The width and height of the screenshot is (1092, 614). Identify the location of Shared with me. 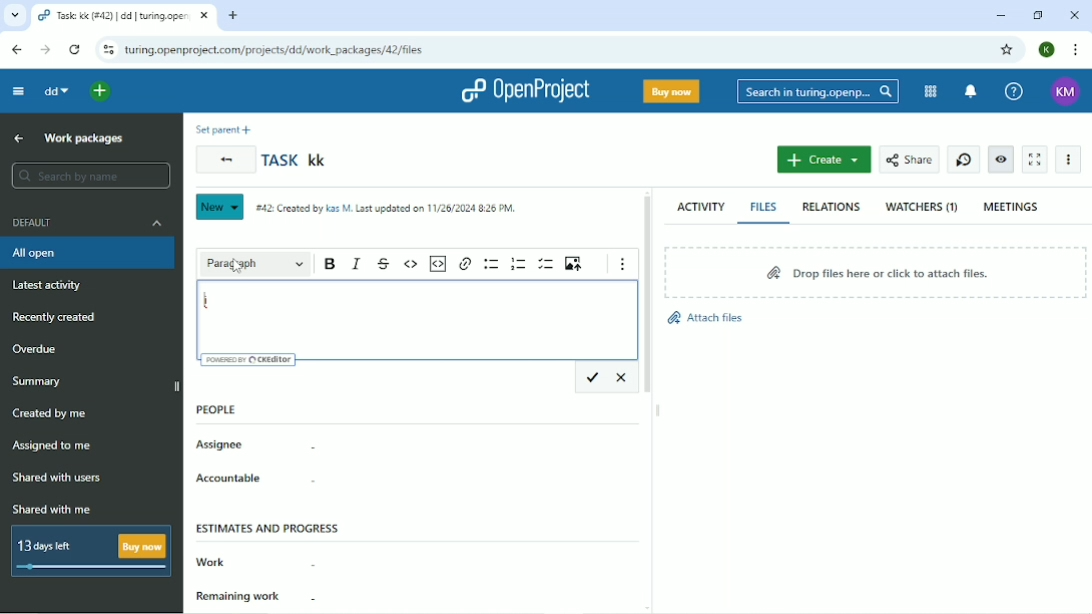
(50, 509).